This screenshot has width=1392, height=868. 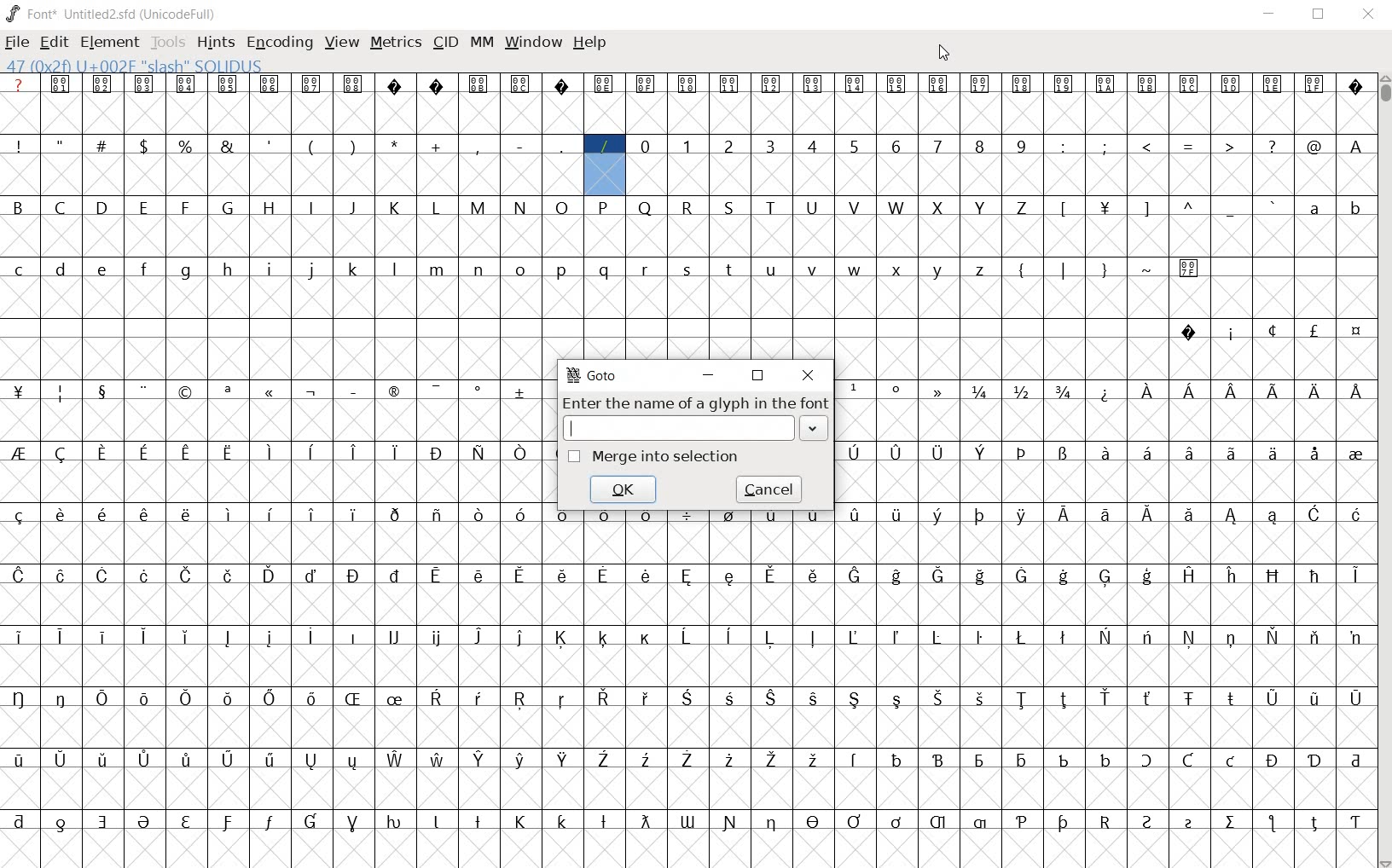 What do you see at coordinates (1232, 453) in the screenshot?
I see `glyph` at bounding box center [1232, 453].